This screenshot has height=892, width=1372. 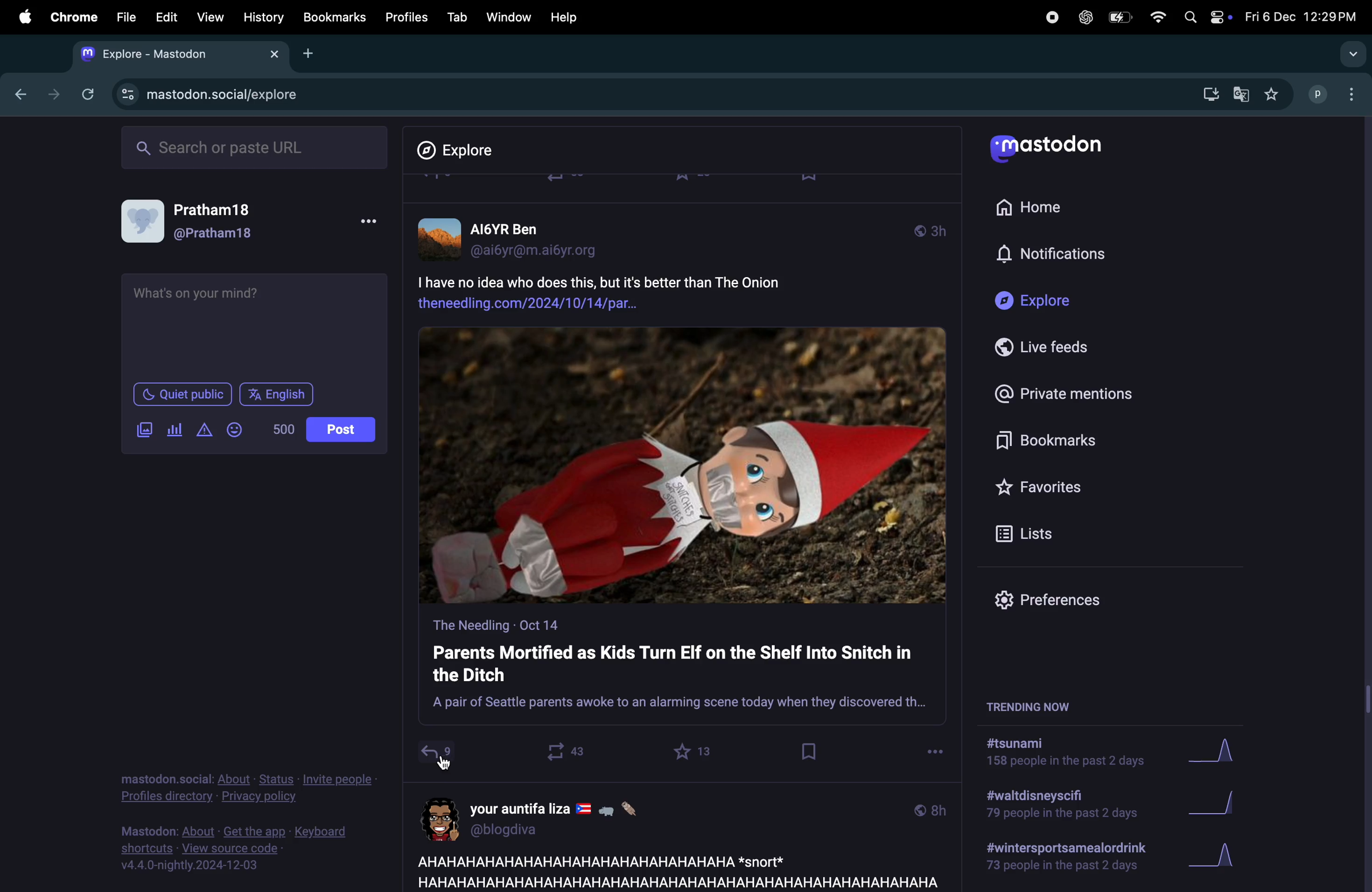 I want to click on graph, so click(x=1213, y=859).